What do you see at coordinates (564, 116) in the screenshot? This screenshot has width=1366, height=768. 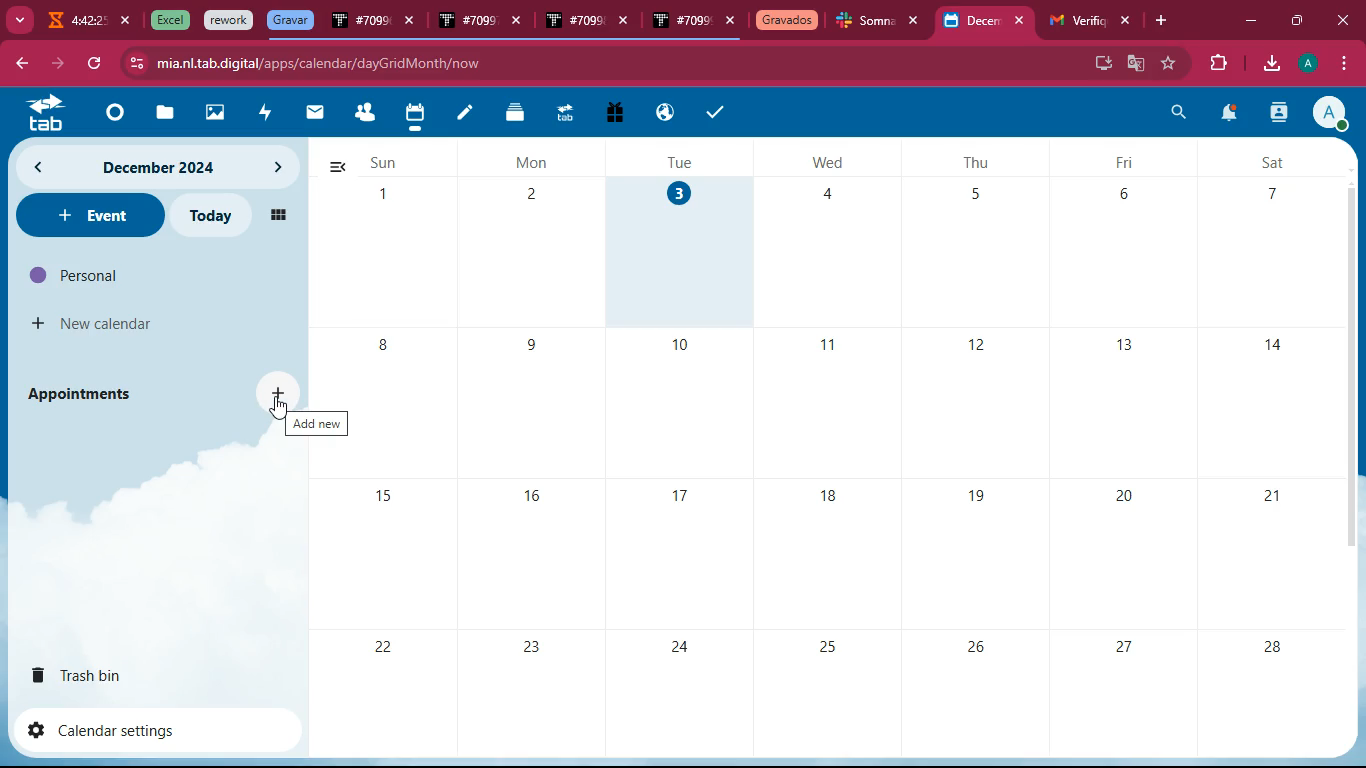 I see `tab` at bounding box center [564, 116].